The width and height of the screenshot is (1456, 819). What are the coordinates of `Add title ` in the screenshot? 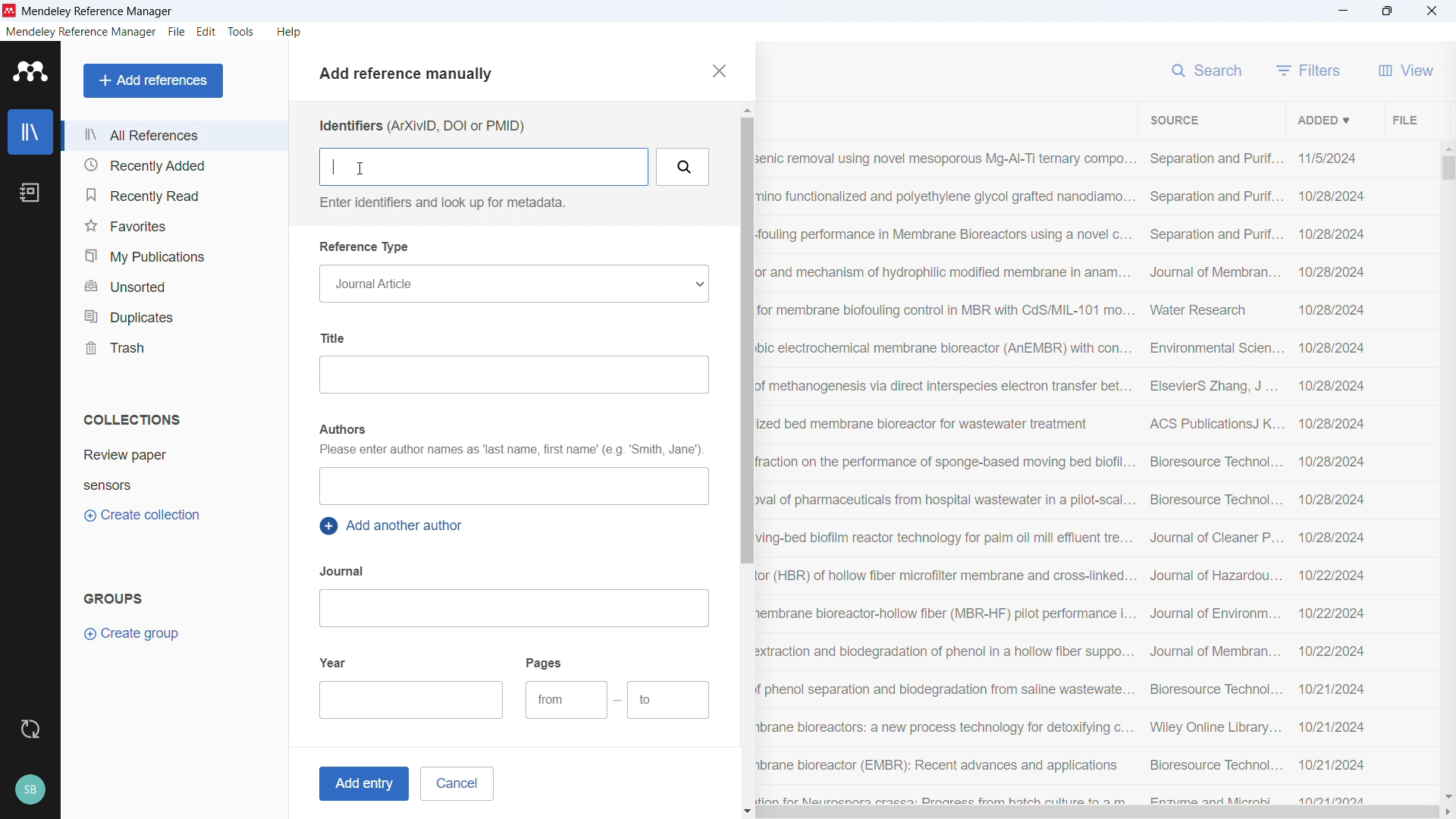 It's located at (513, 375).